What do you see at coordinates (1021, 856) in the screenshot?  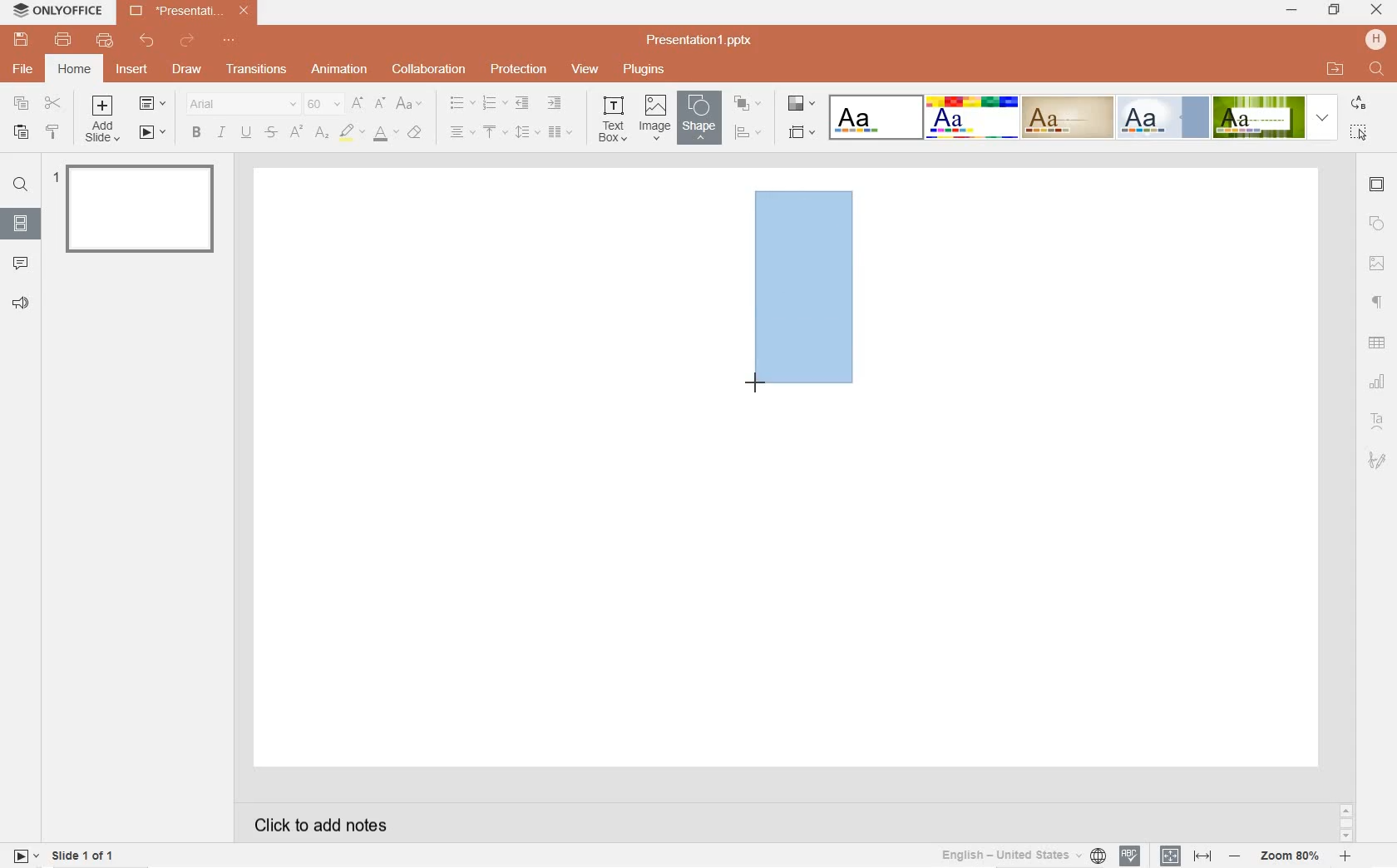 I see `English - United States` at bounding box center [1021, 856].